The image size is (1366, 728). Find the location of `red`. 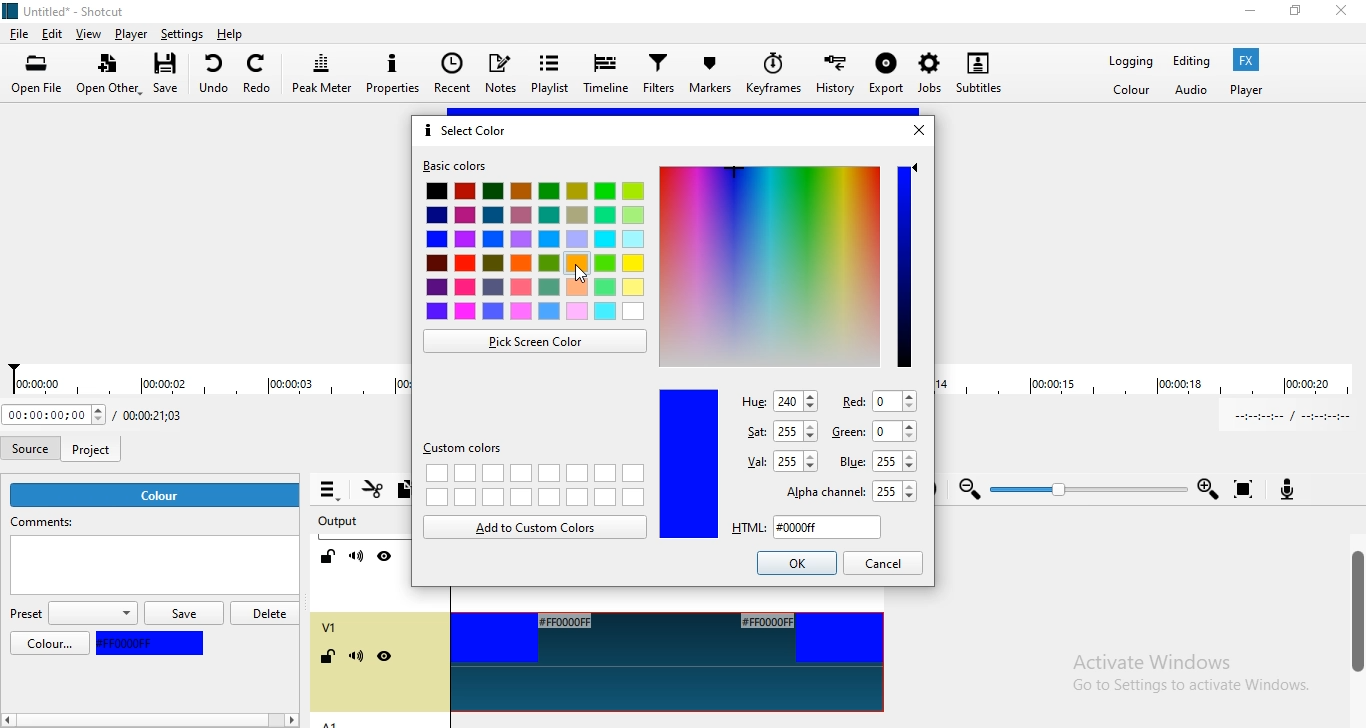

red is located at coordinates (875, 401).